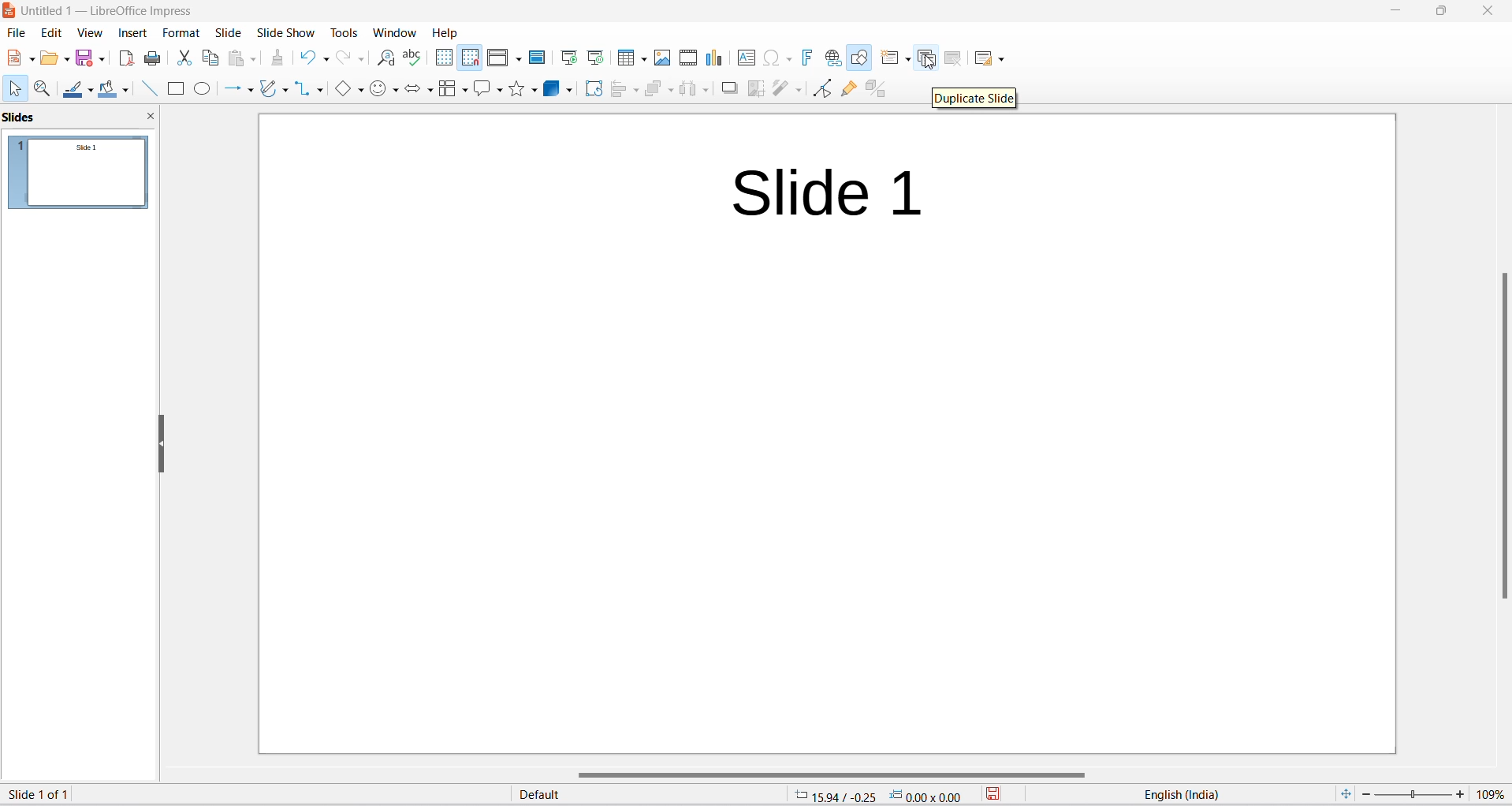  I want to click on scroll bar, so click(831, 774).